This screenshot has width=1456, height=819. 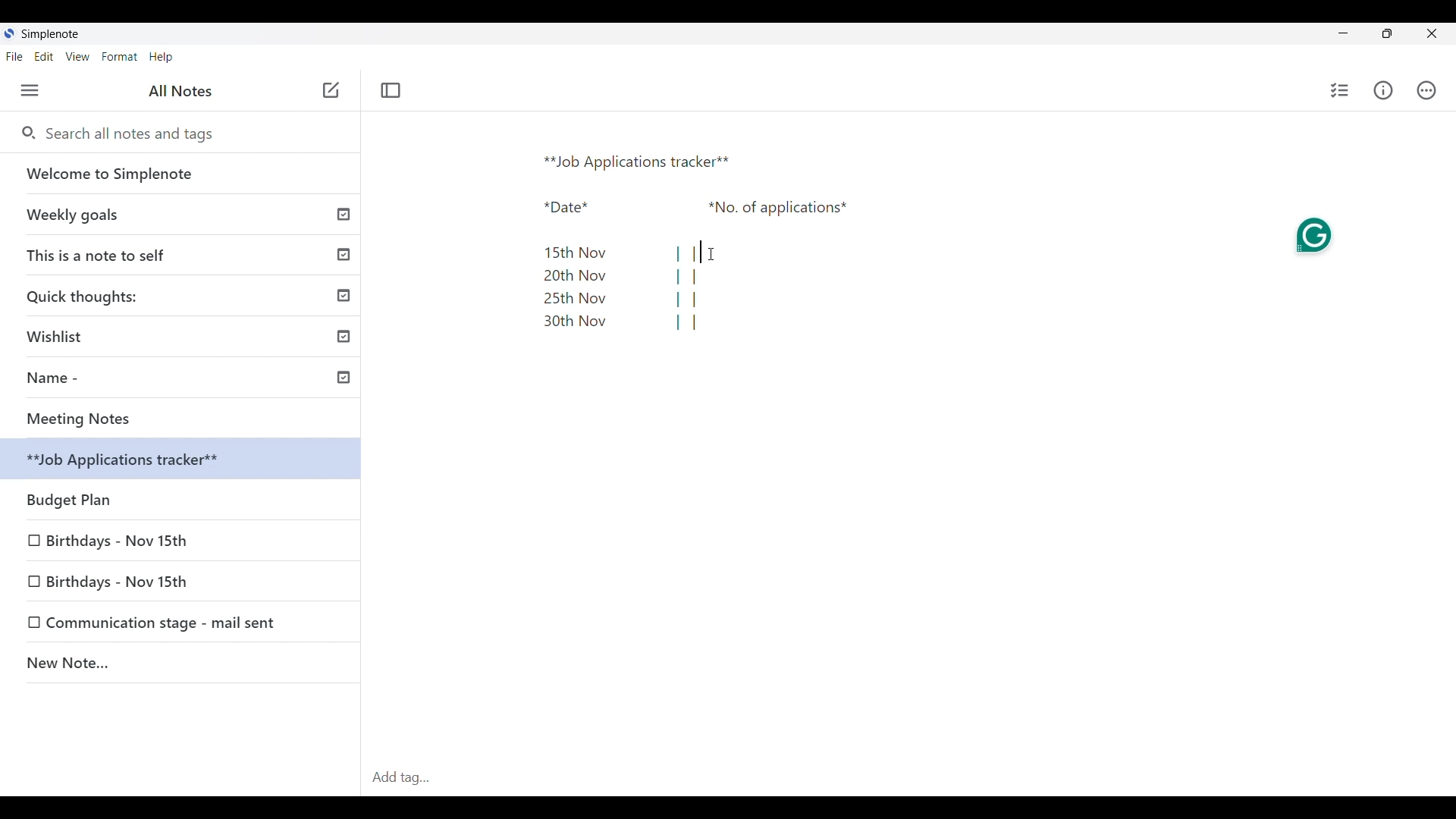 I want to click on Minimize, so click(x=1343, y=33).